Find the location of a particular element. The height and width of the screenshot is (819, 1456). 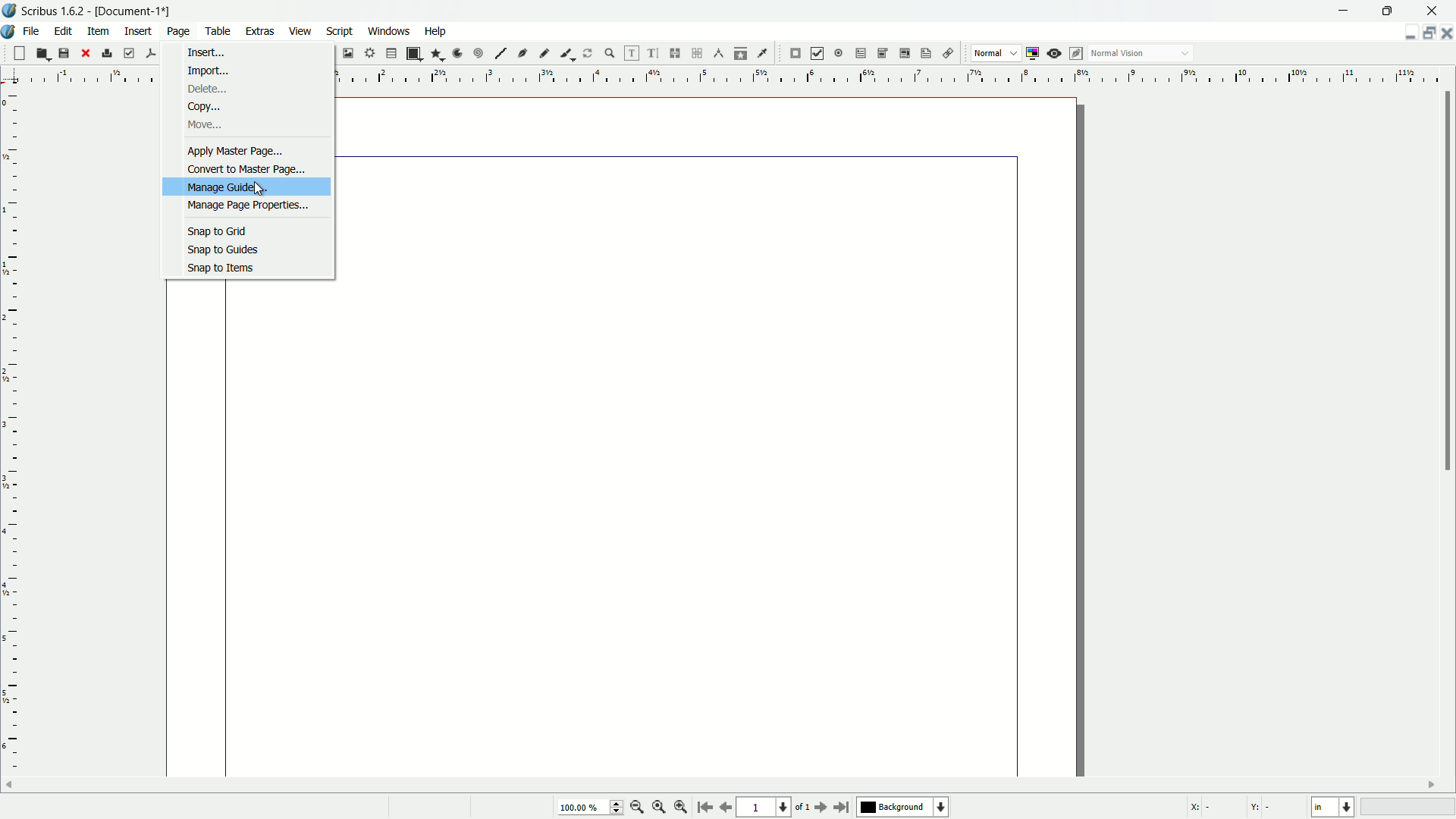

apply master page is located at coordinates (236, 150).